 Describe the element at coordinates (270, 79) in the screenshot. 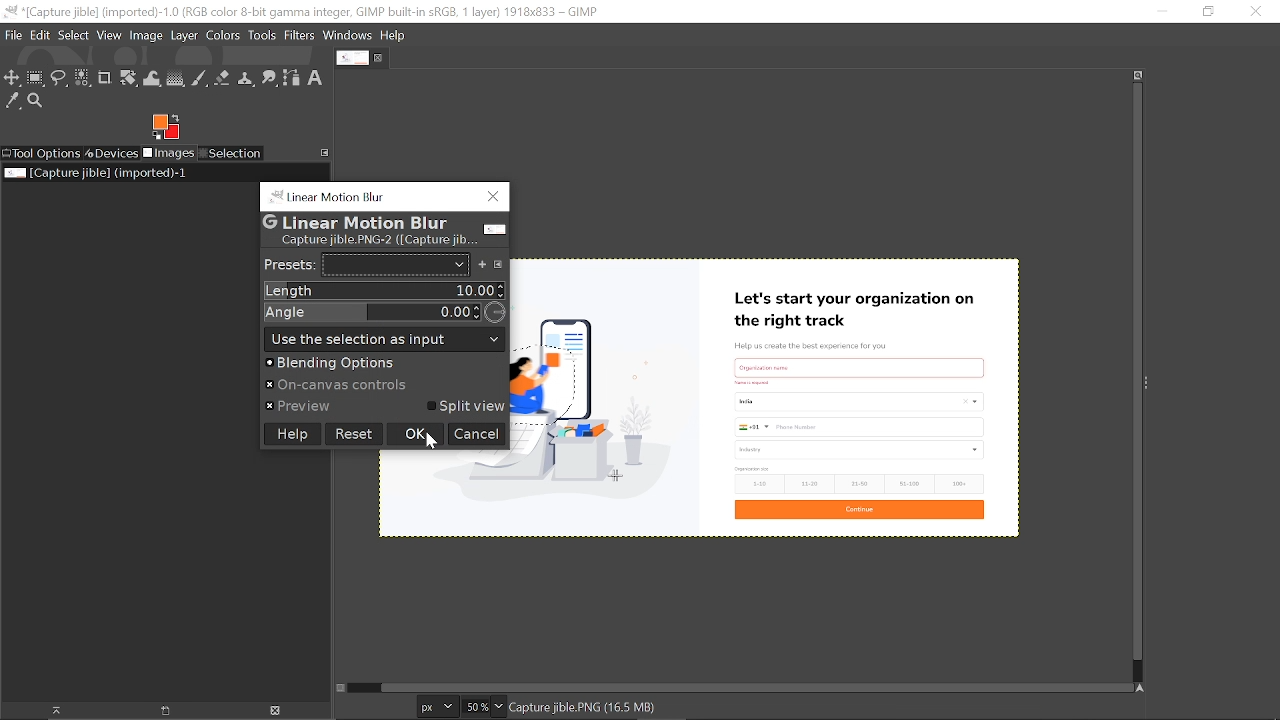

I see `Smudge tool` at that location.